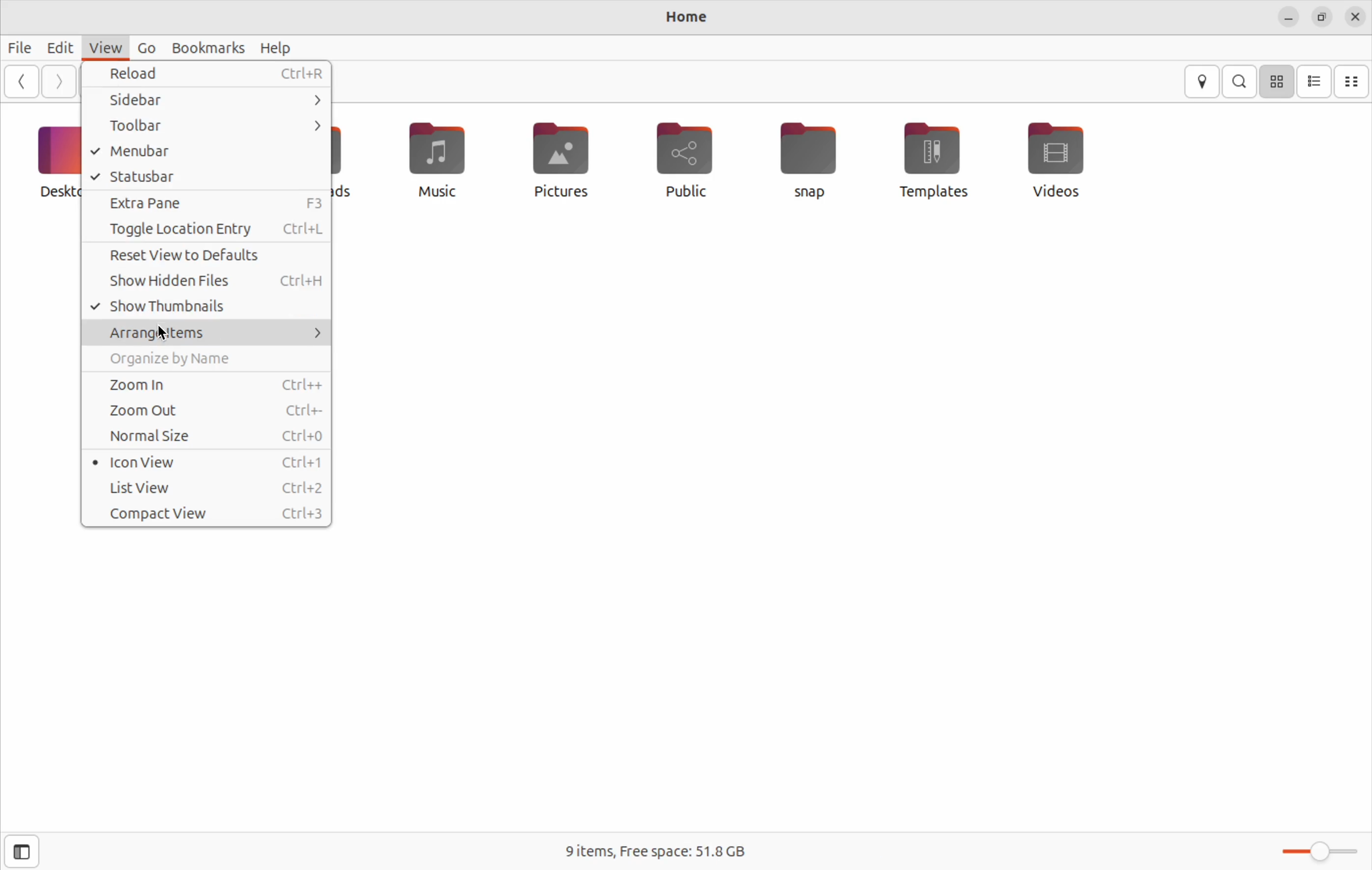 The width and height of the screenshot is (1372, 870). What do you see at coordinates (667, 848) in the screenshot?
I see `free spaces` at bounding box center [667, 848].